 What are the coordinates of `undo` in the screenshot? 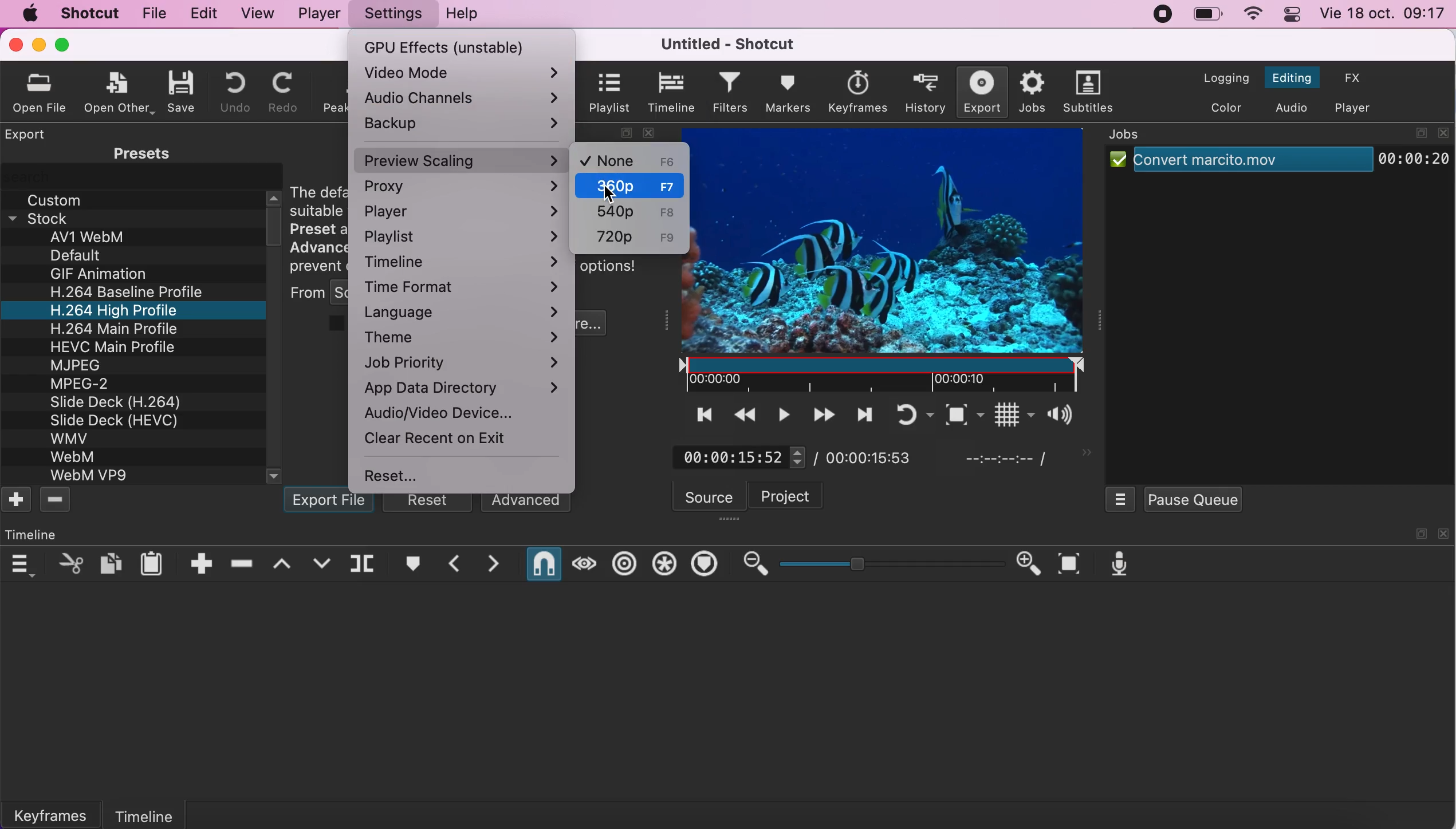 It's located at (229, 92).